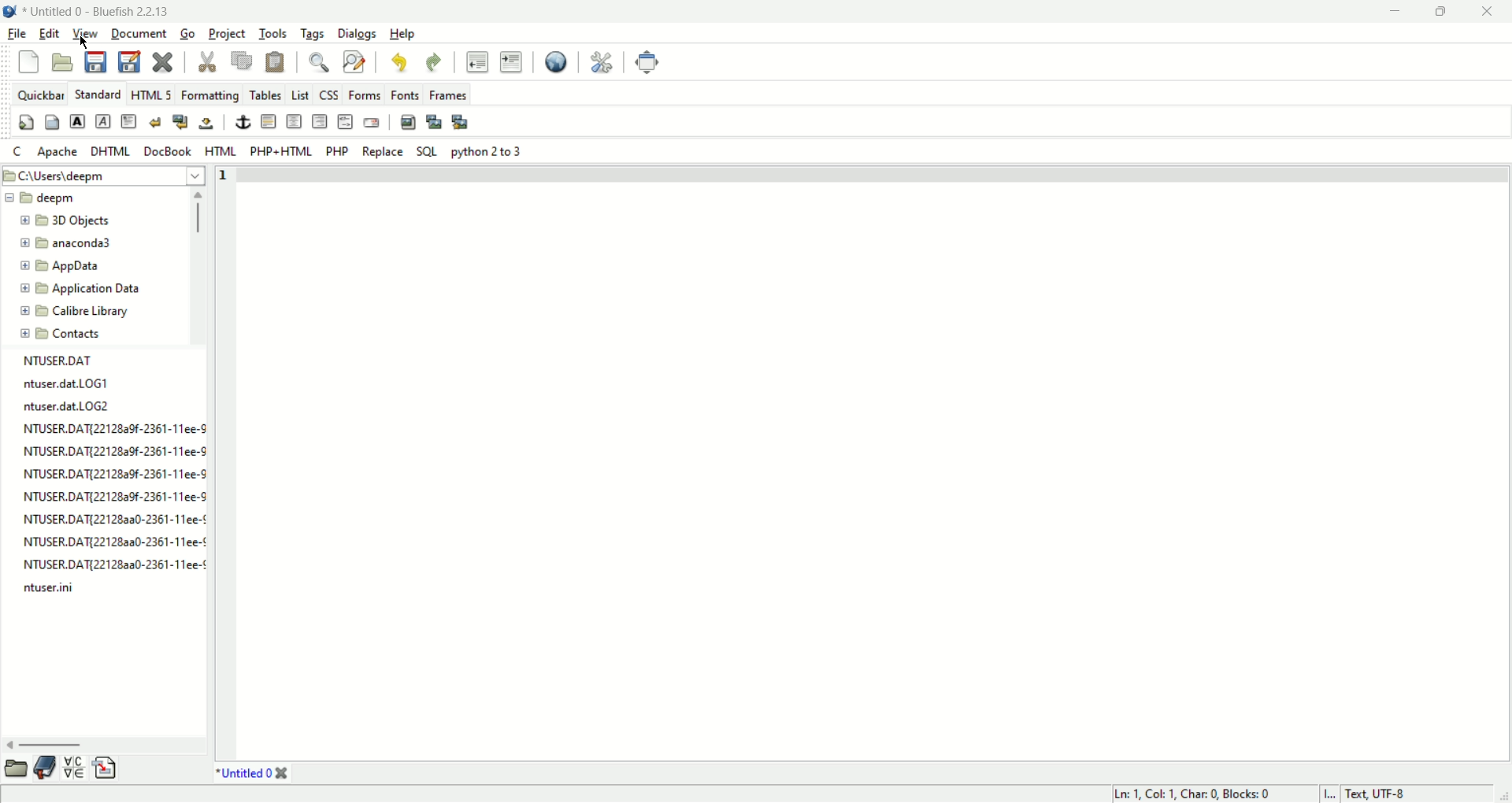 The height and width of the screenshot is (803, 1512). I want to click on frames, so click(448, 94).